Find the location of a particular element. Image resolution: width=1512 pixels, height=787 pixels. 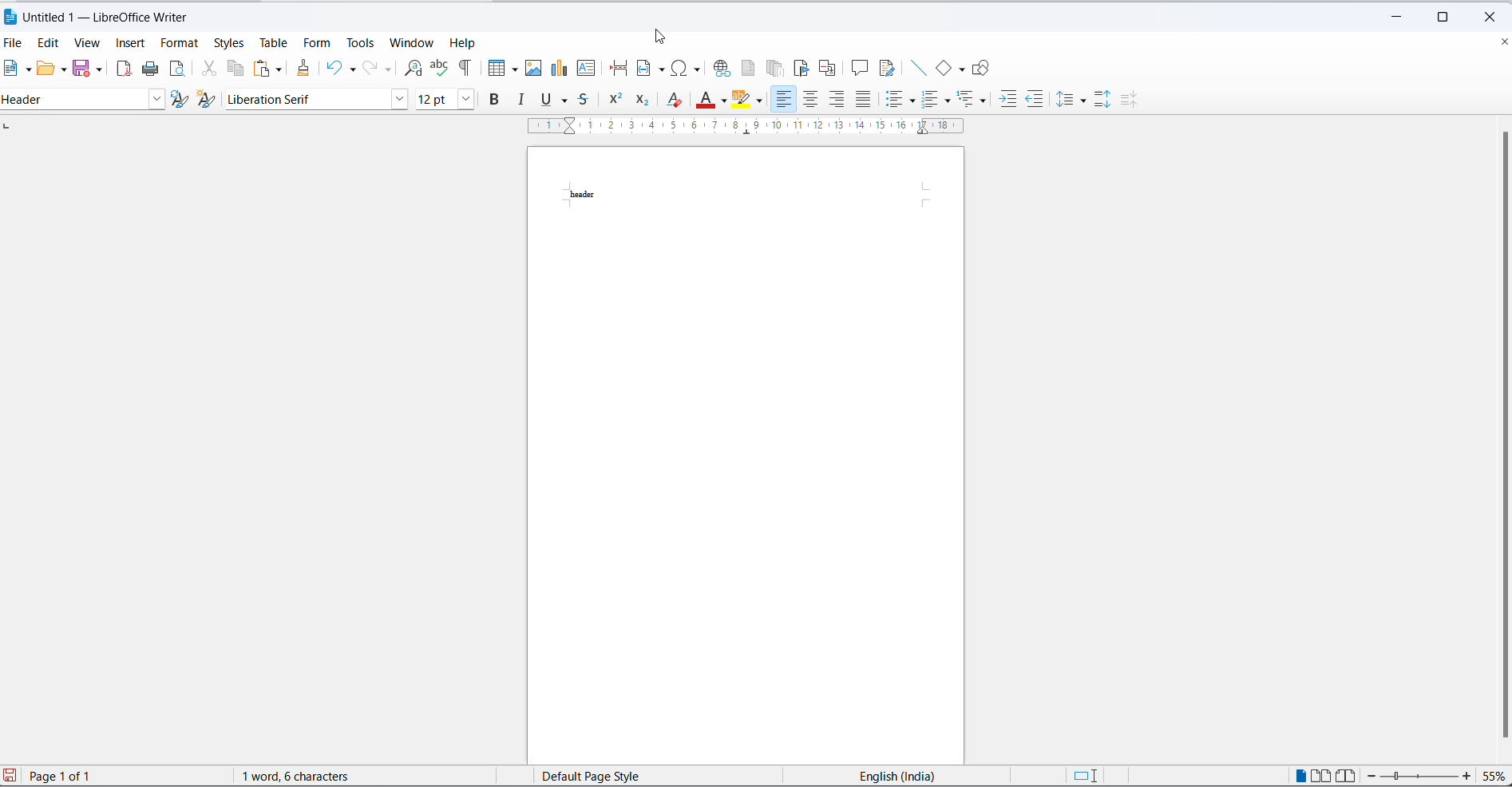

page break is located at coordinates (618, 69).